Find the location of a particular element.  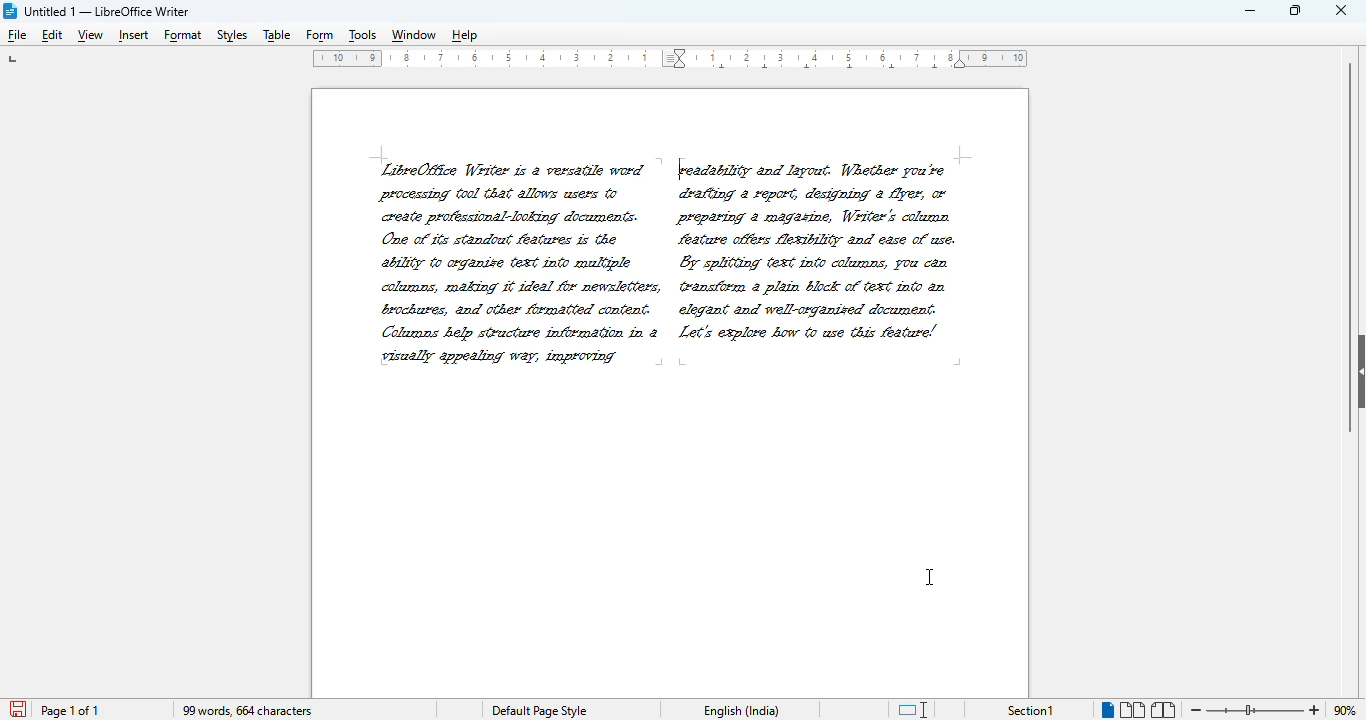

multi-page view is located at coordinates (1133, 710).